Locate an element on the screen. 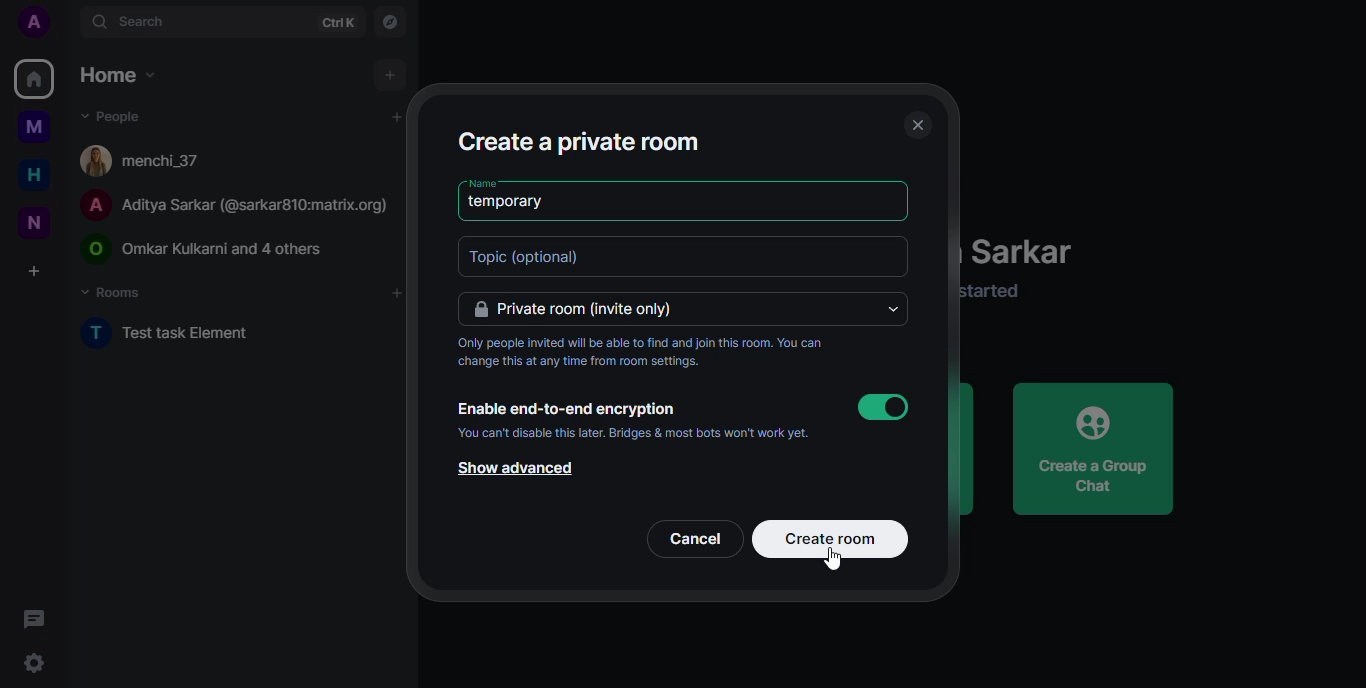 The image size is (1366, 688). create room is located at coordinates (835, 537).